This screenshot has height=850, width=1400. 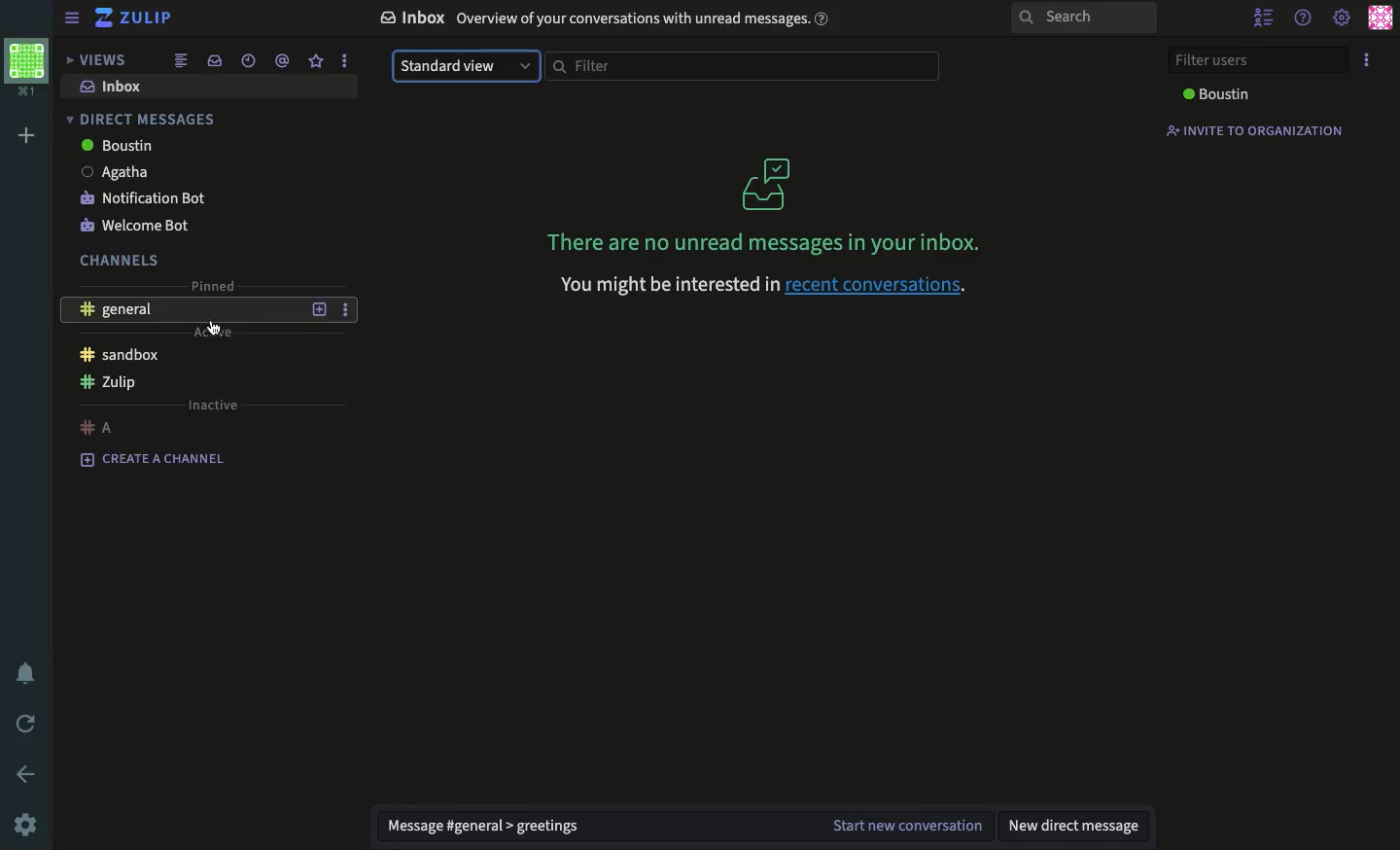 I want to click on back , so click(x=28, y=775).